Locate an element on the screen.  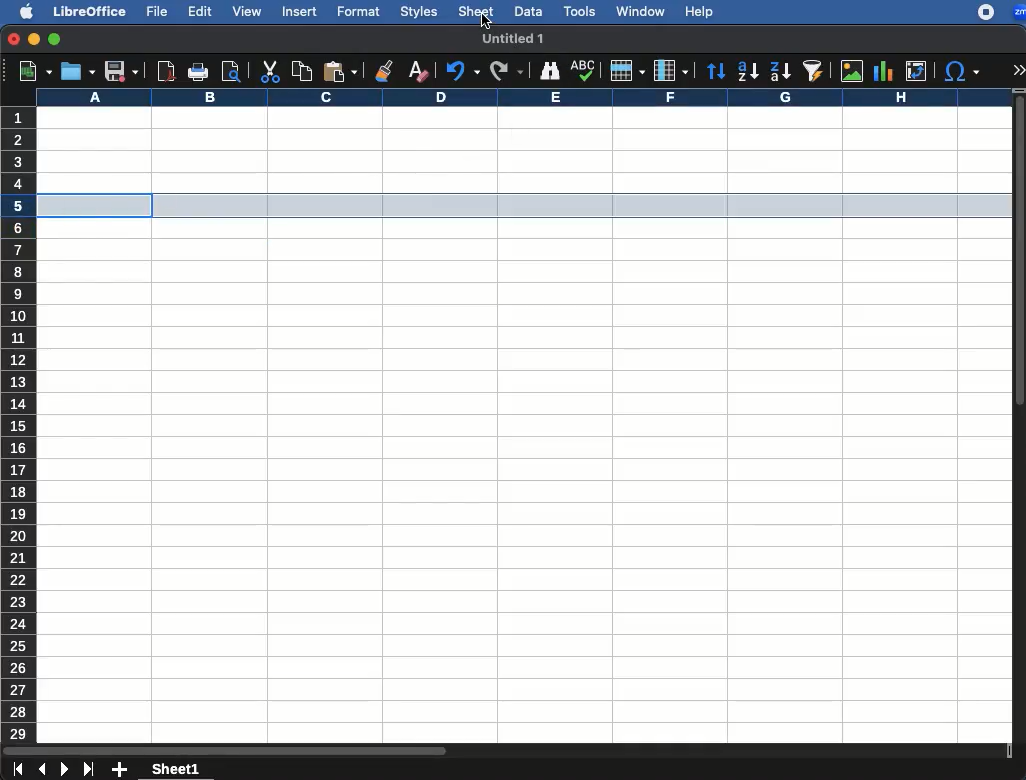
tools is located at coordinates (581, 11).